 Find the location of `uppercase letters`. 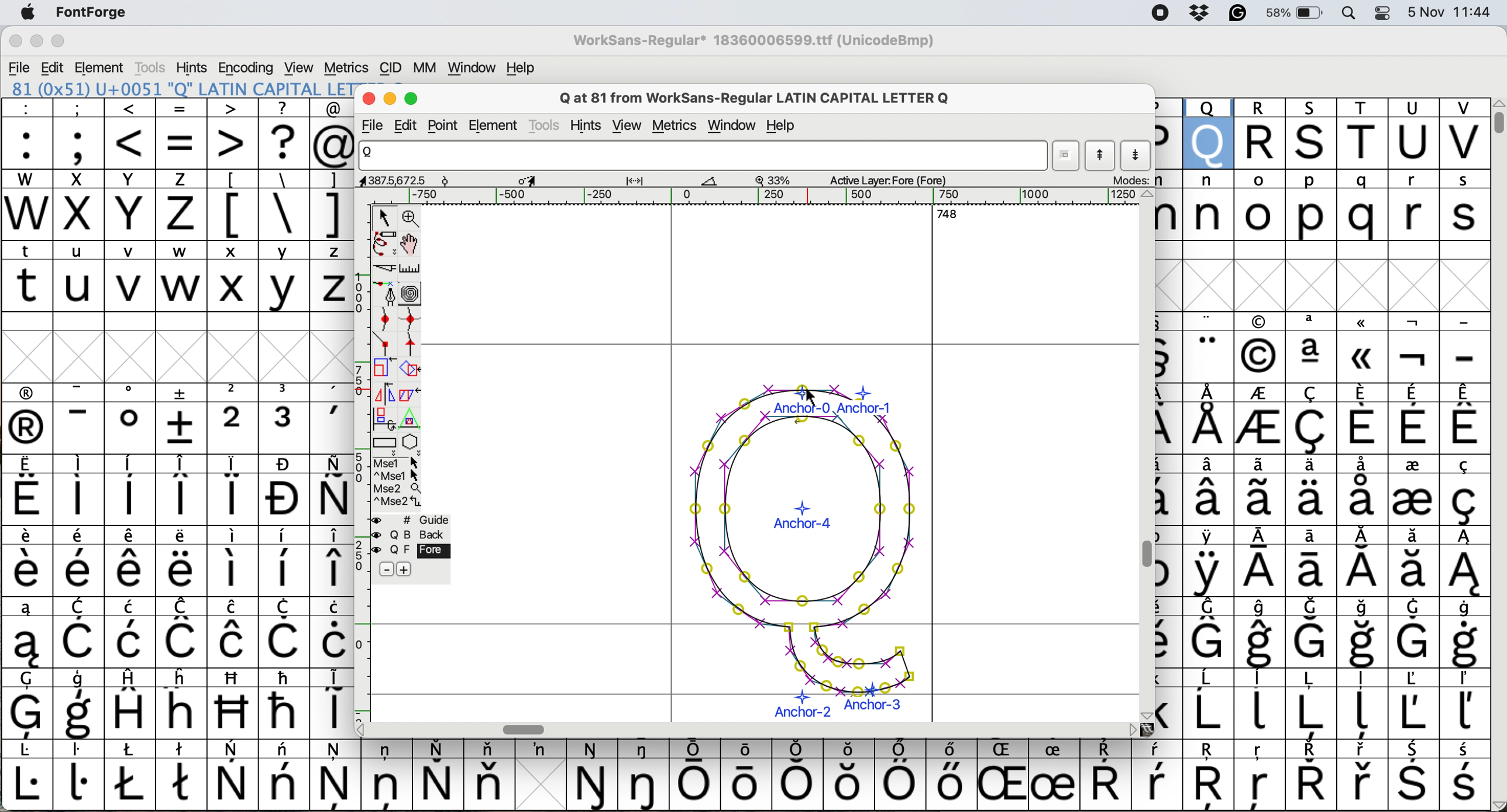

uppercase letters is located at coordinates (108, 216).